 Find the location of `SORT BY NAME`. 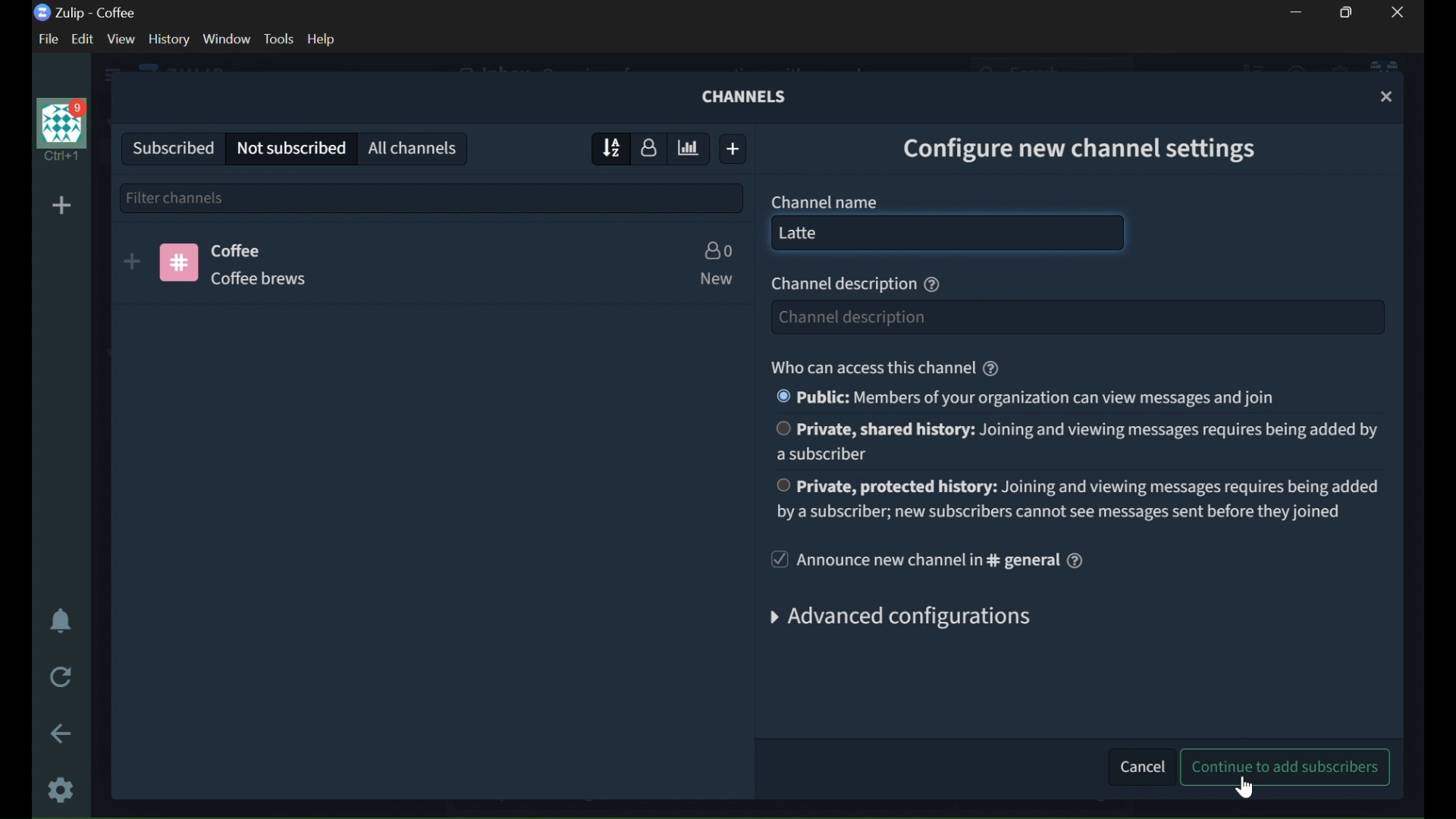

SORT BY NAME is located at coordinates (606, 148).